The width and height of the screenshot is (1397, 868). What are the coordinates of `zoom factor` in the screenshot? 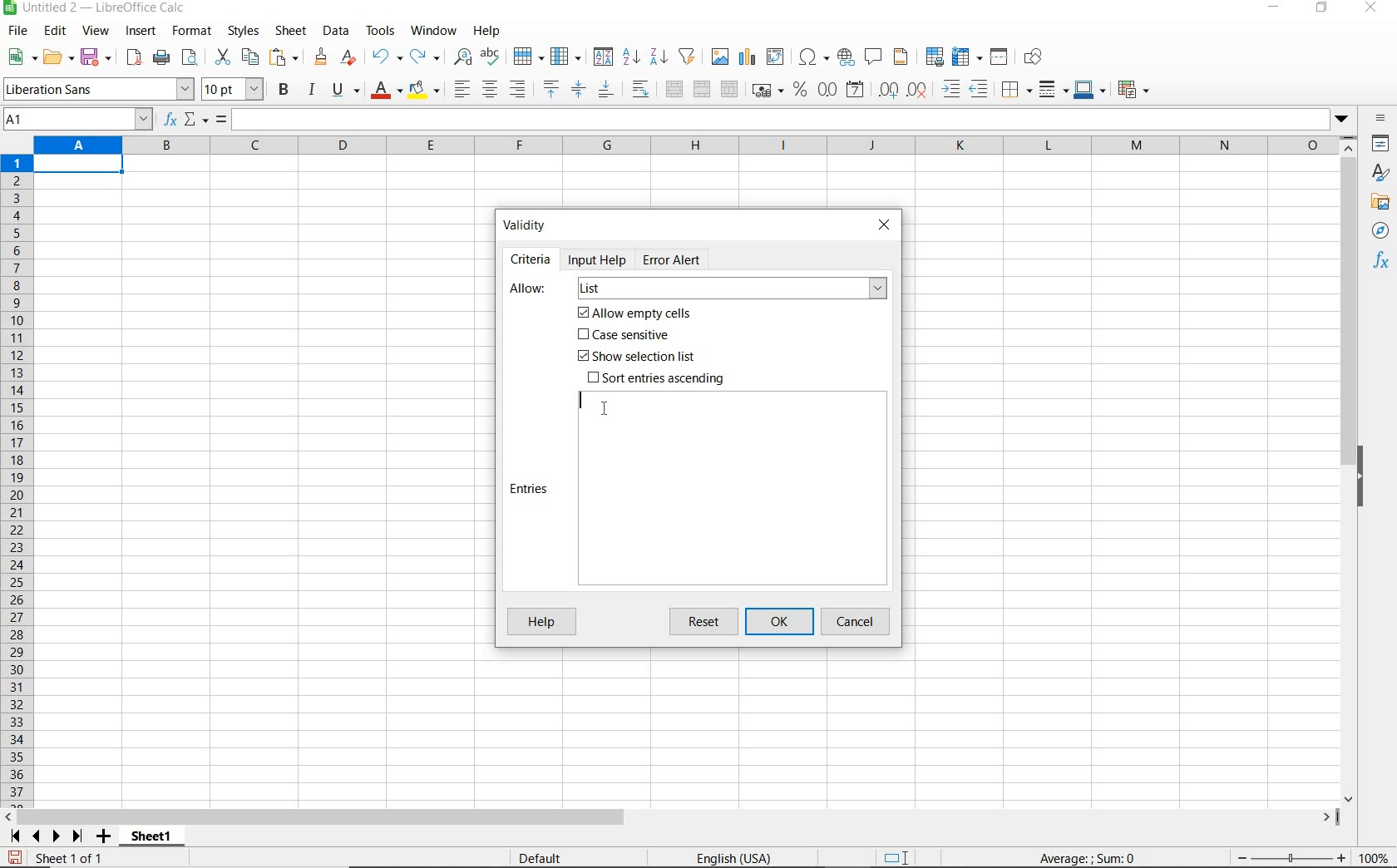 It's located at (1375, 857).